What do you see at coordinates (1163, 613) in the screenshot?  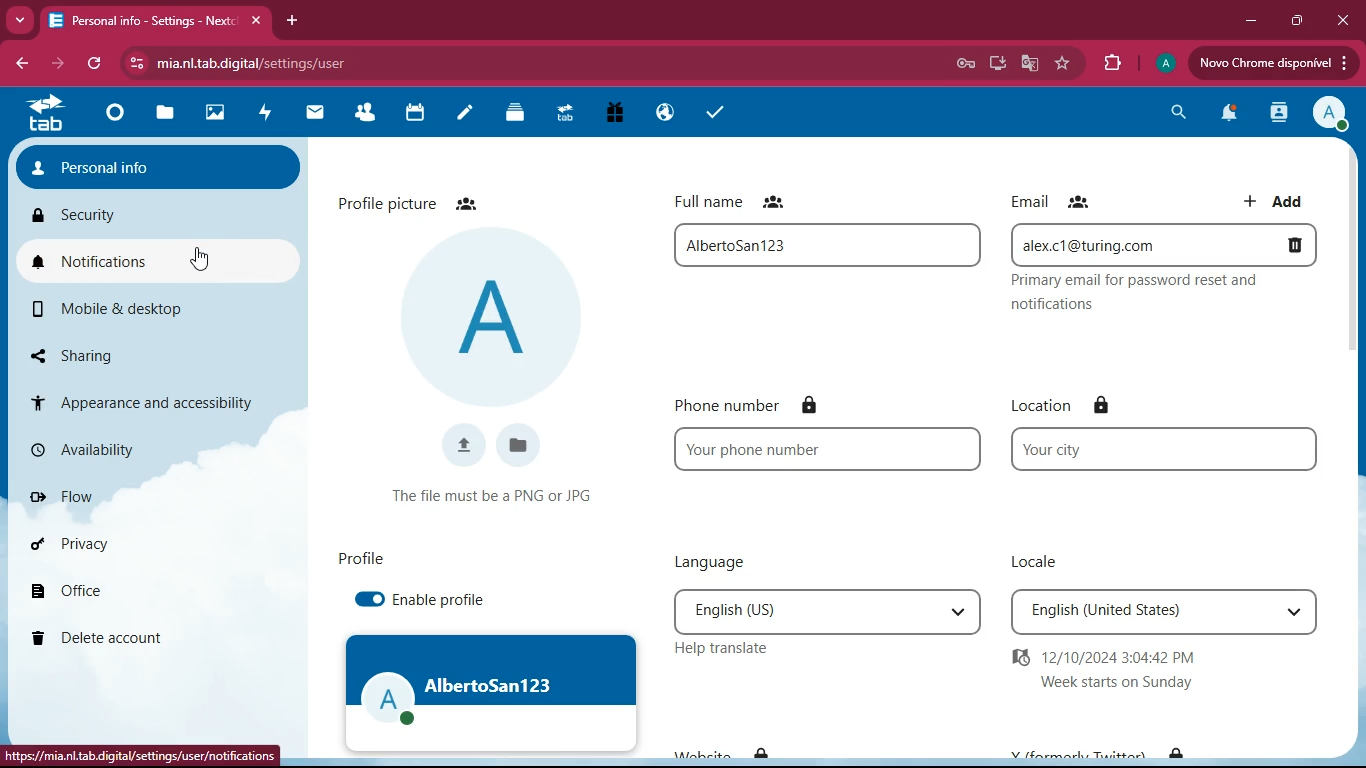 I see `locale` at bounding box center [1163, 613].